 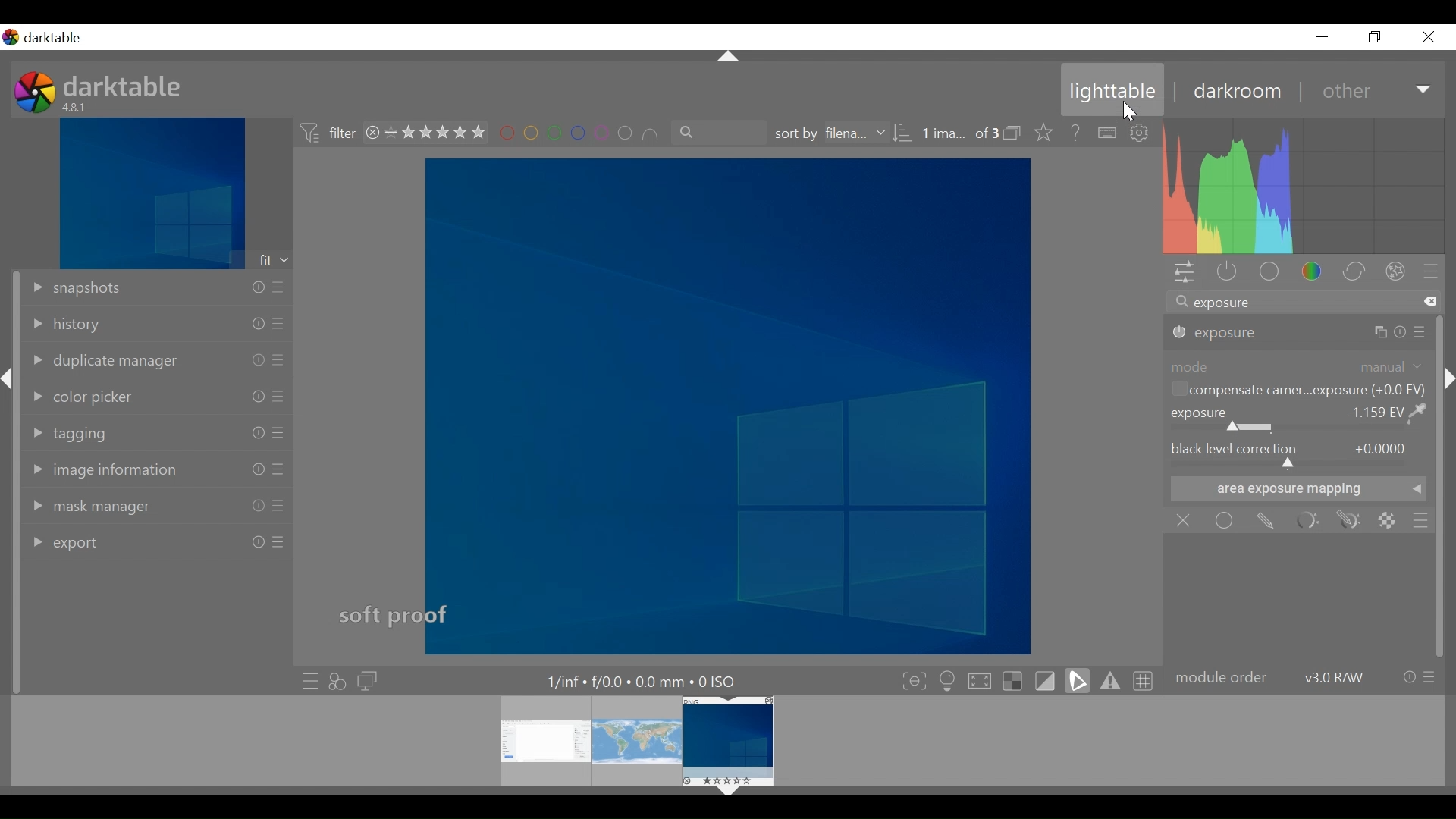 What do you see at coordinates (1227, 521) in the screenshot?
I see `uniformly` at bounding box center [1227, 521].